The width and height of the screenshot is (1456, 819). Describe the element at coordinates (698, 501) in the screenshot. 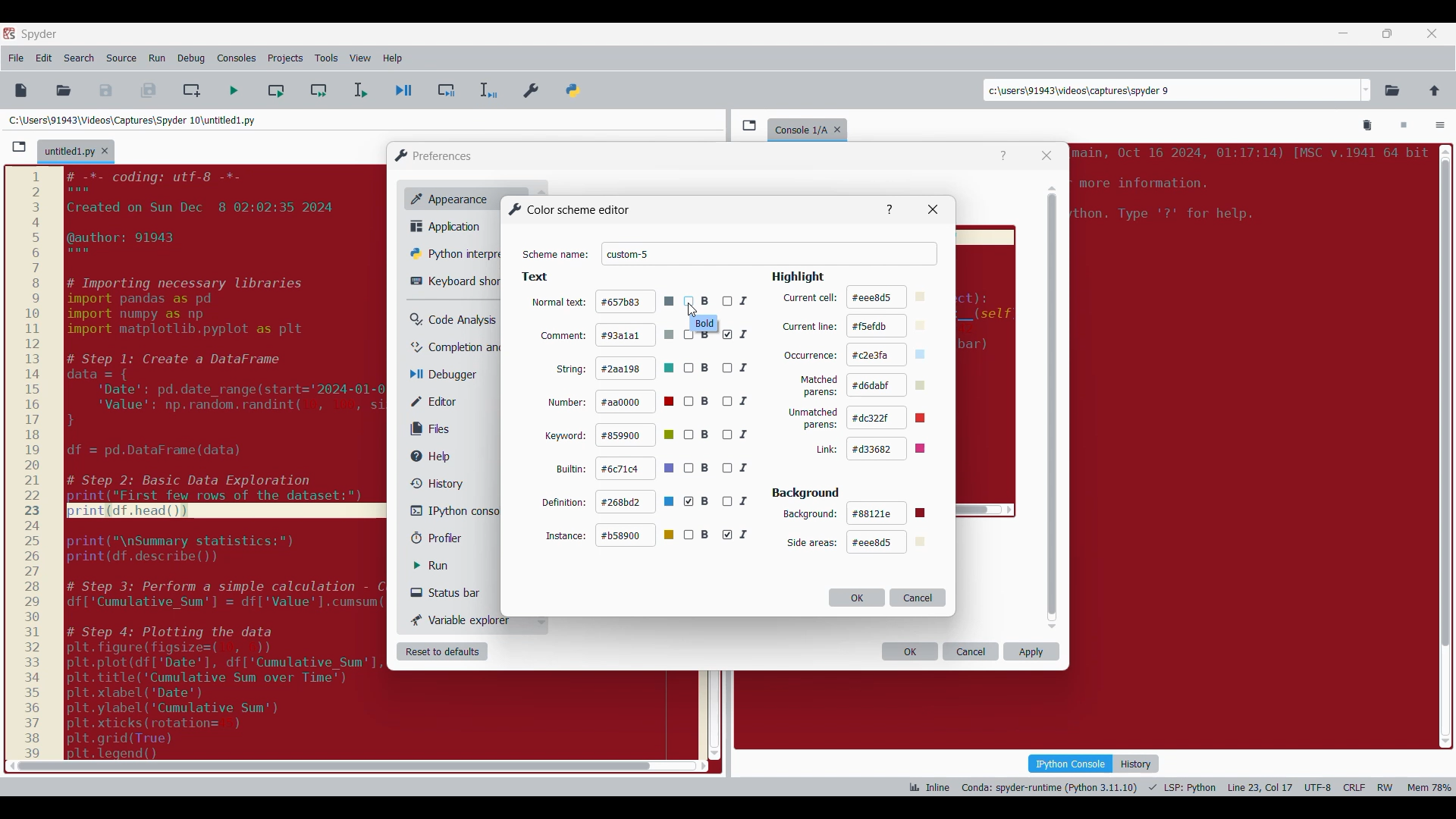

I see `B` at that location.